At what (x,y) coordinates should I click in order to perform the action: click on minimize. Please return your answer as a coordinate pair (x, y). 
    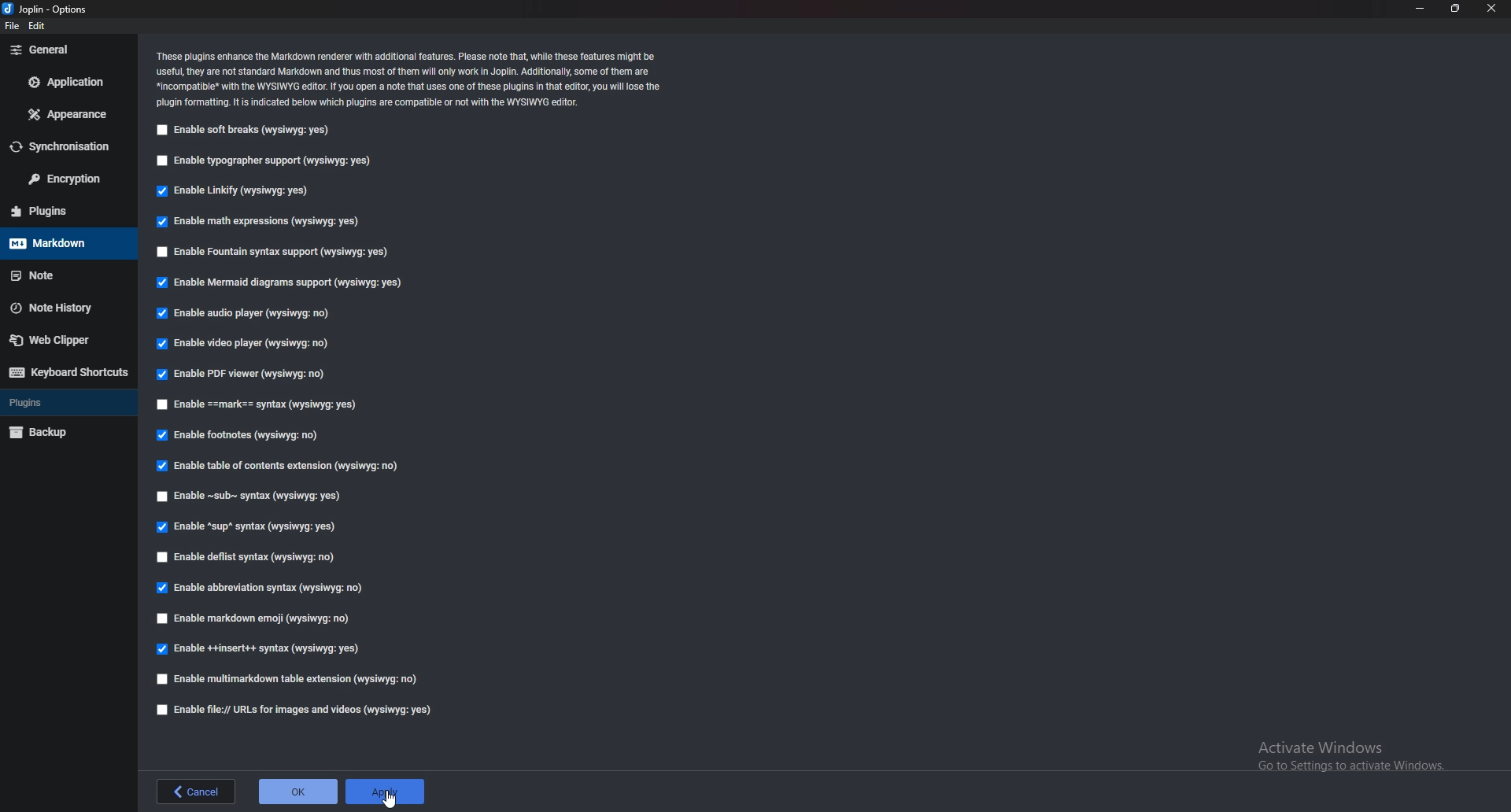
    Looking at the image, I should click on (1421, 8).